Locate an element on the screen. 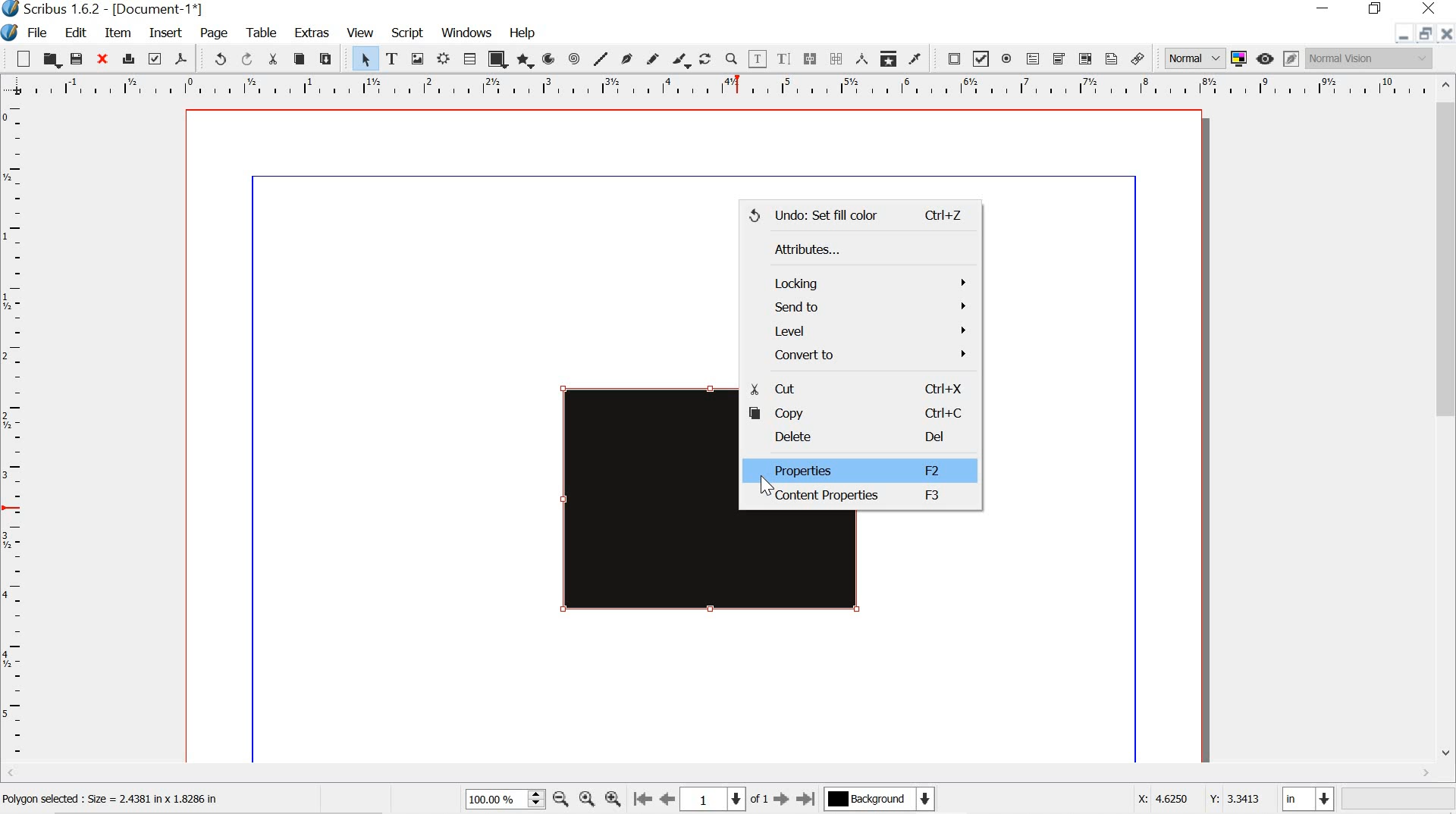 The image size is (1456, 814). go to last page is located at coordinates (805, 799).